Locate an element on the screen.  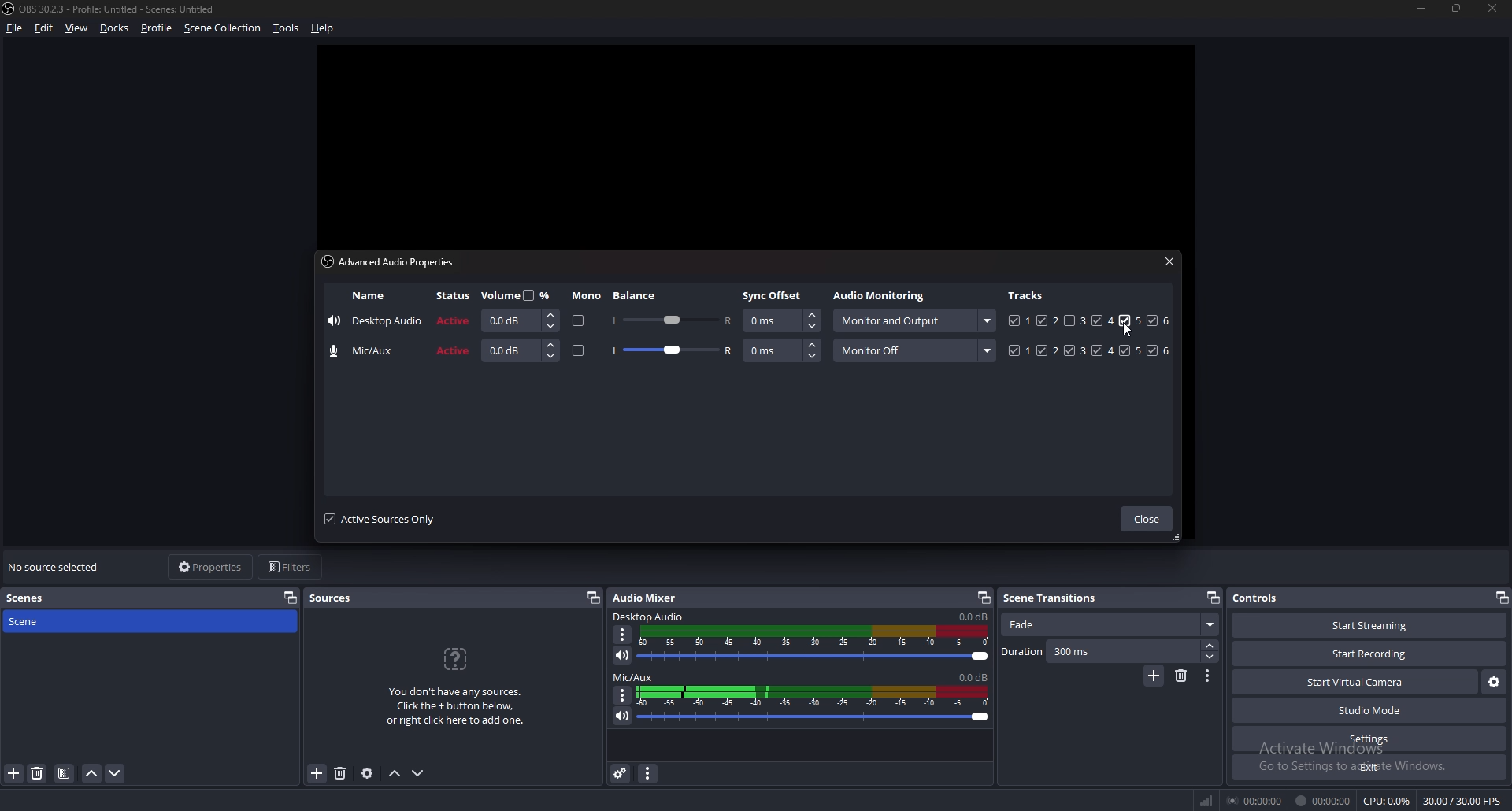
volume input is located at coordinates (521, 350).